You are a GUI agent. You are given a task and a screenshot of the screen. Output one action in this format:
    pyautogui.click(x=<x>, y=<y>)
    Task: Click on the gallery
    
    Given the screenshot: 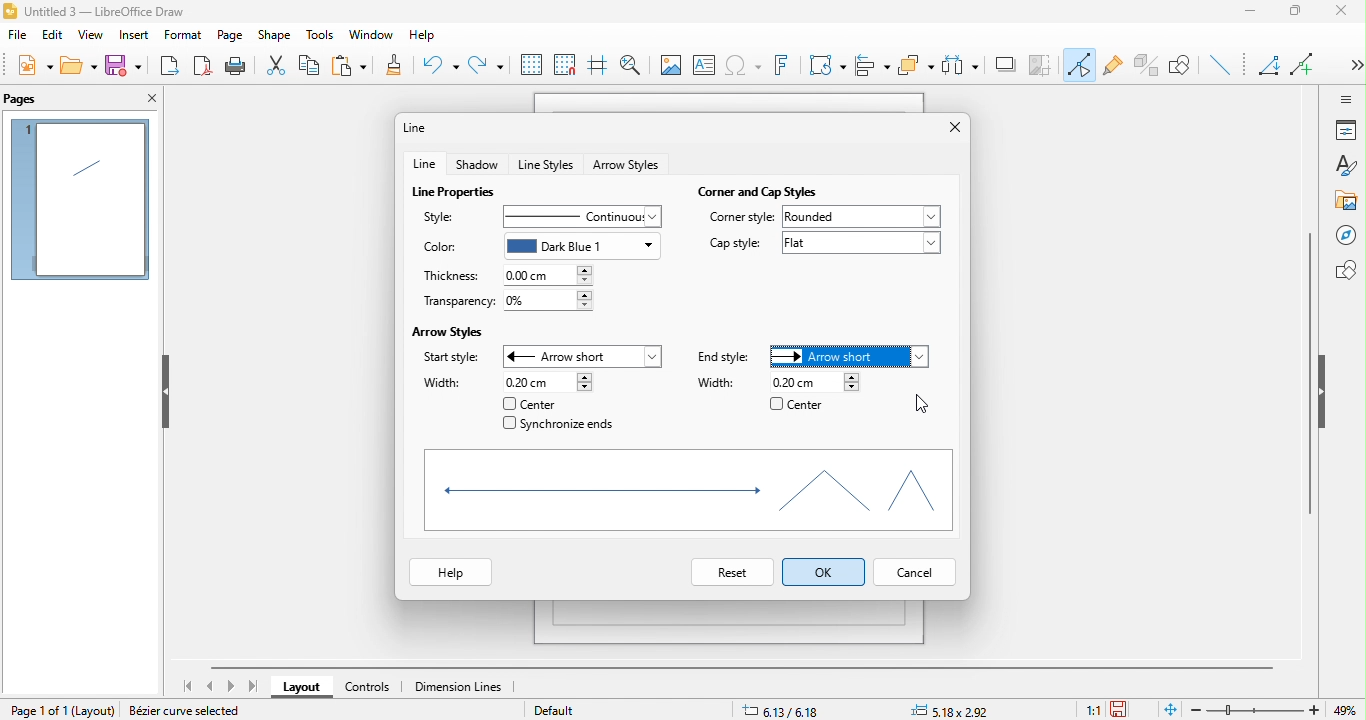 What is the action you would take?
    pyautogui.click(x=1347, y=201)
    